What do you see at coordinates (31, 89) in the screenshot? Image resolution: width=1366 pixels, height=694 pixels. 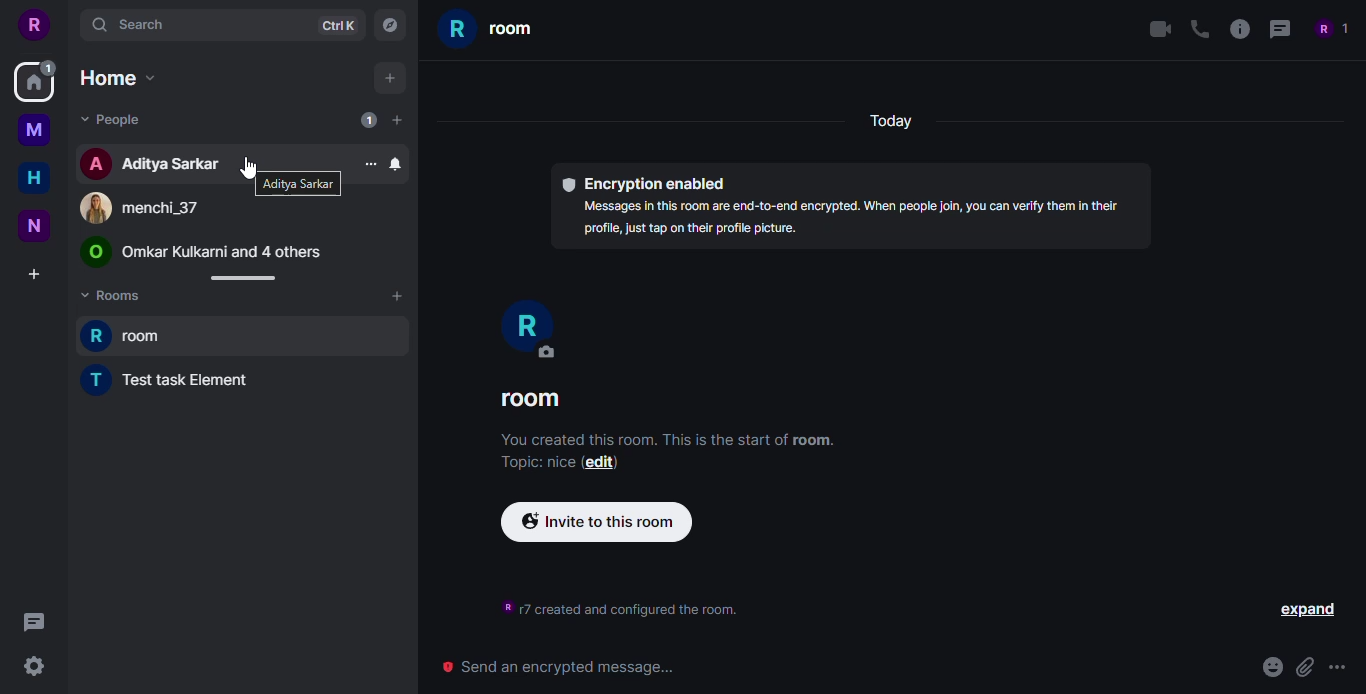 I see `home` at bounding box center [31, 89].